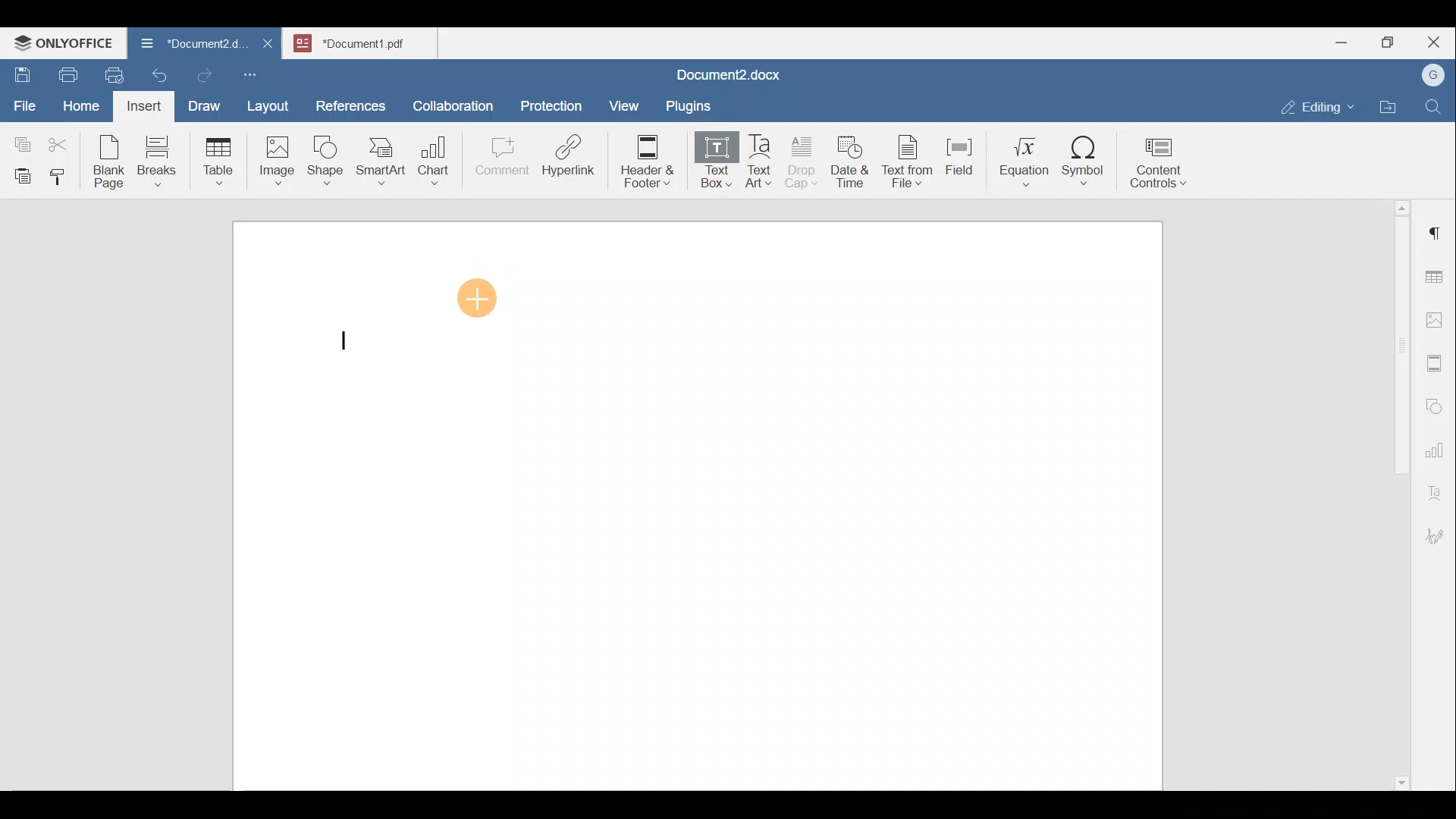  Describe the element at coordinates (381, 159) in the screenshot. I see `SmartArt` at that location.